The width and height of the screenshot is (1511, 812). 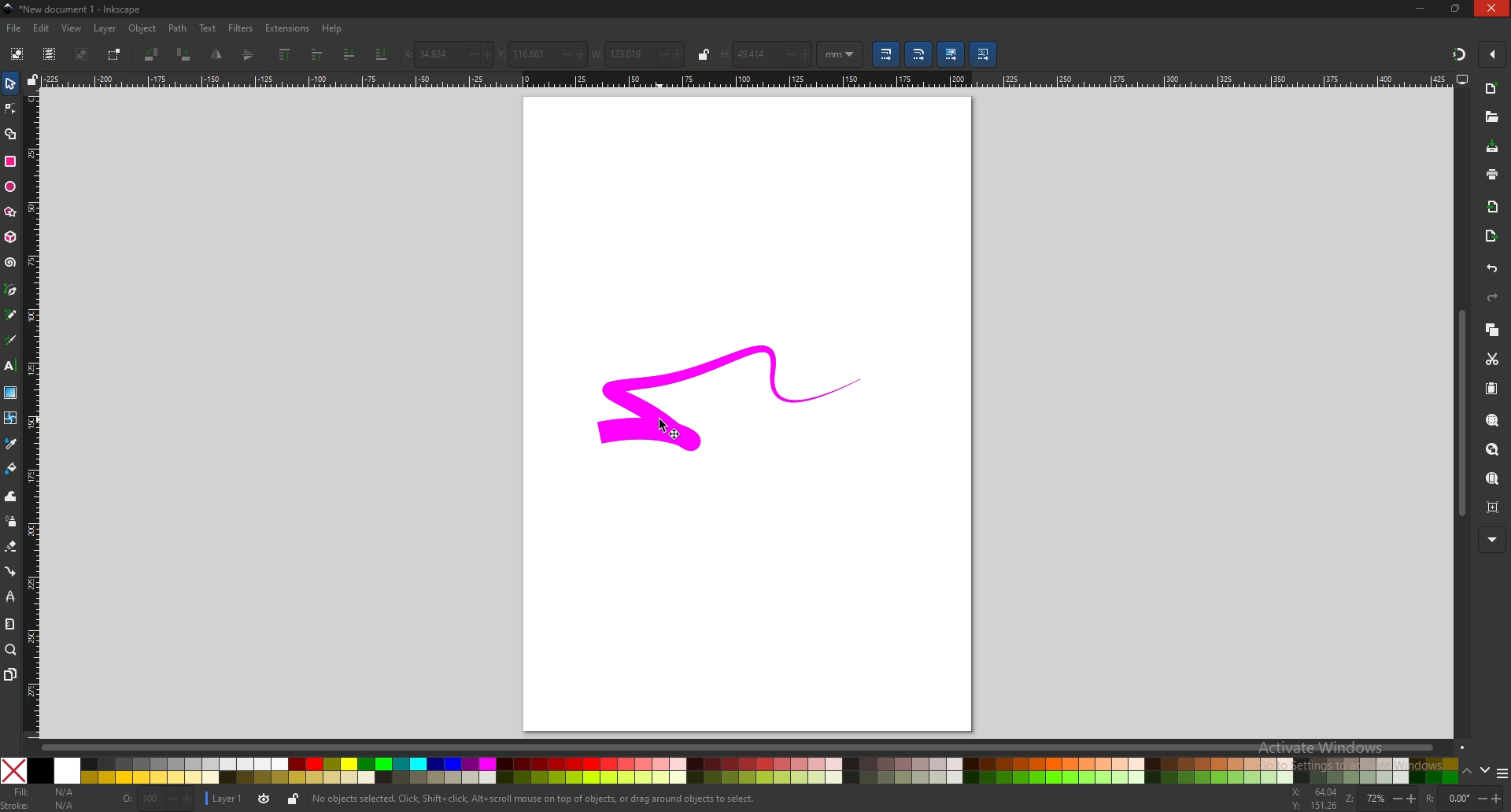 What do you see at coordinates (1502, 773) in the screenshot?
I see `more colors` at bounding box center [1502, 773].